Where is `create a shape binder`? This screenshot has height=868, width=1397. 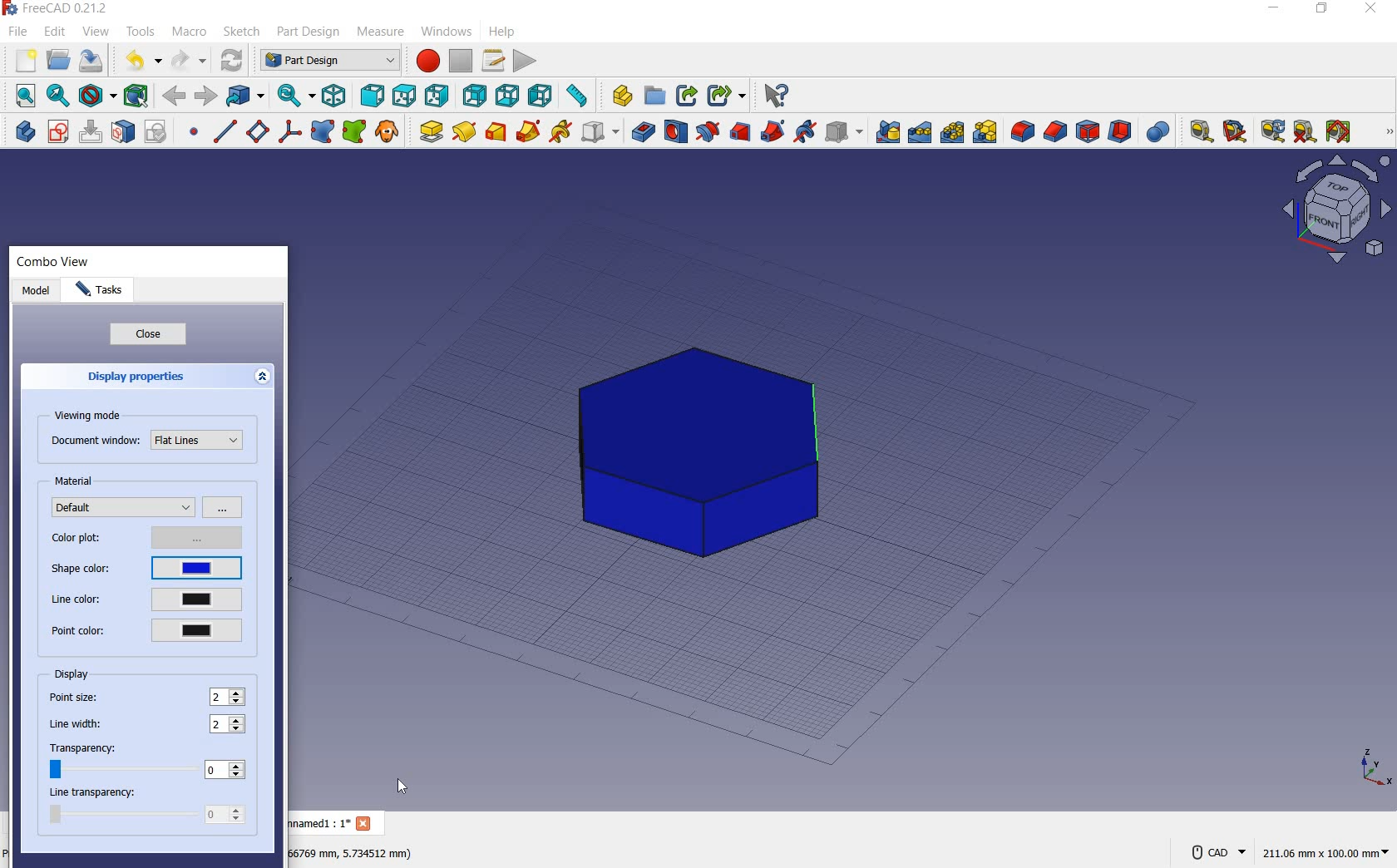
create a shape binder is located at coordinates (323, 133).